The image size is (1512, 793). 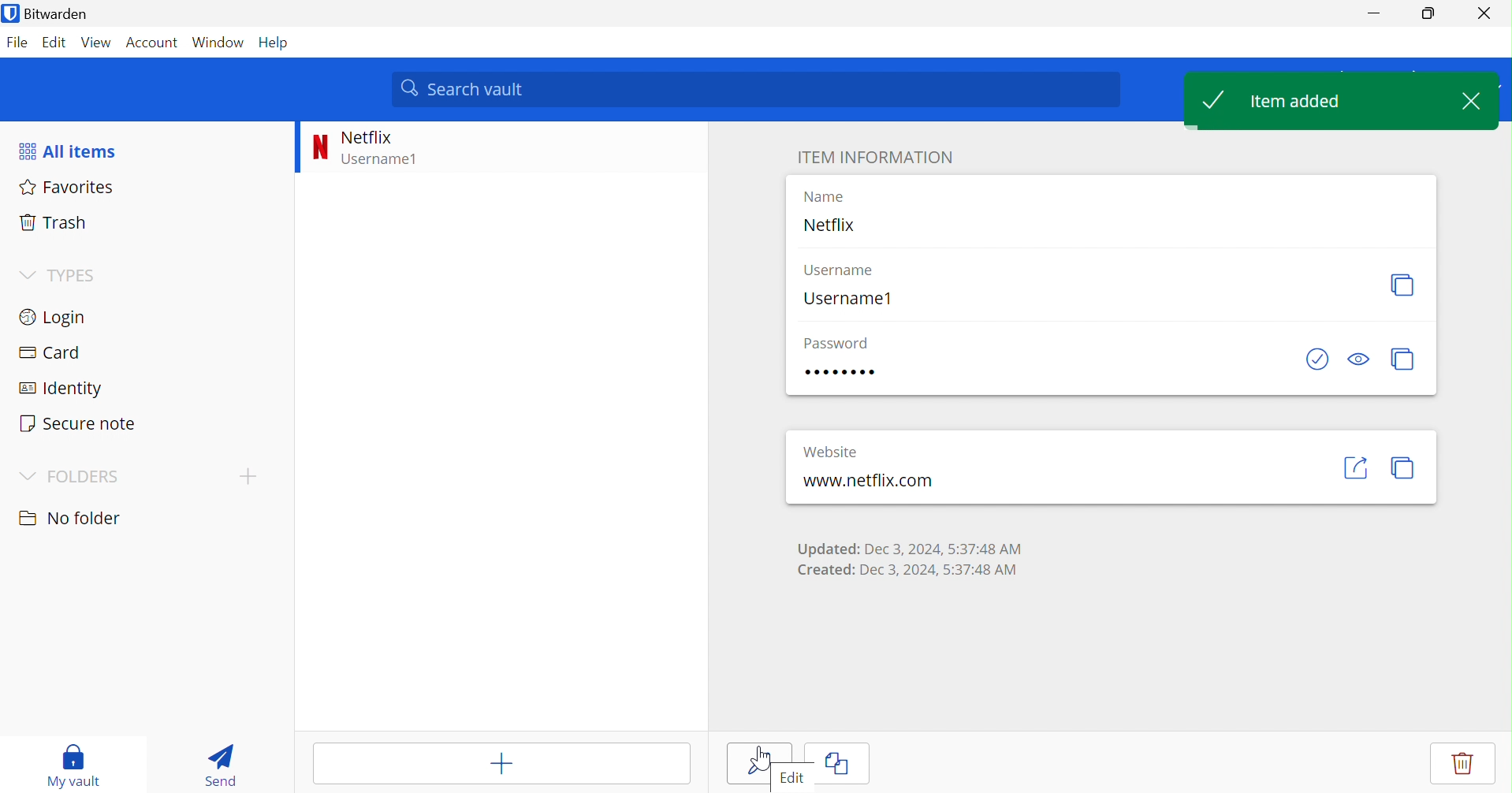 I want to click on Favorites, so click(x=67, y=187).